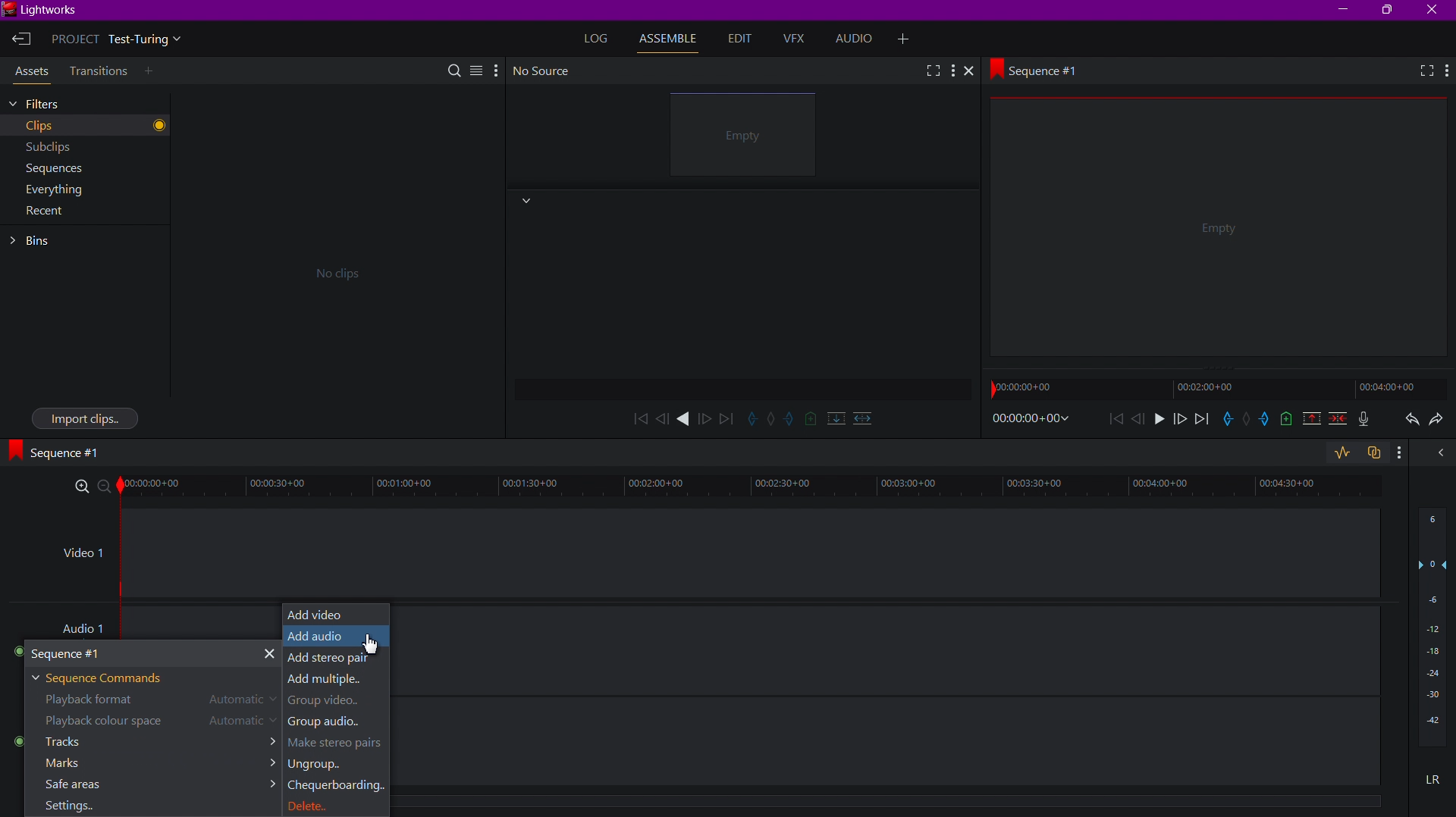 Image resolution: width=1456 pixels, height=817 pixels. Describe the element at coordinates (1429, 784) in the screenshot. I see `LR` at that location.